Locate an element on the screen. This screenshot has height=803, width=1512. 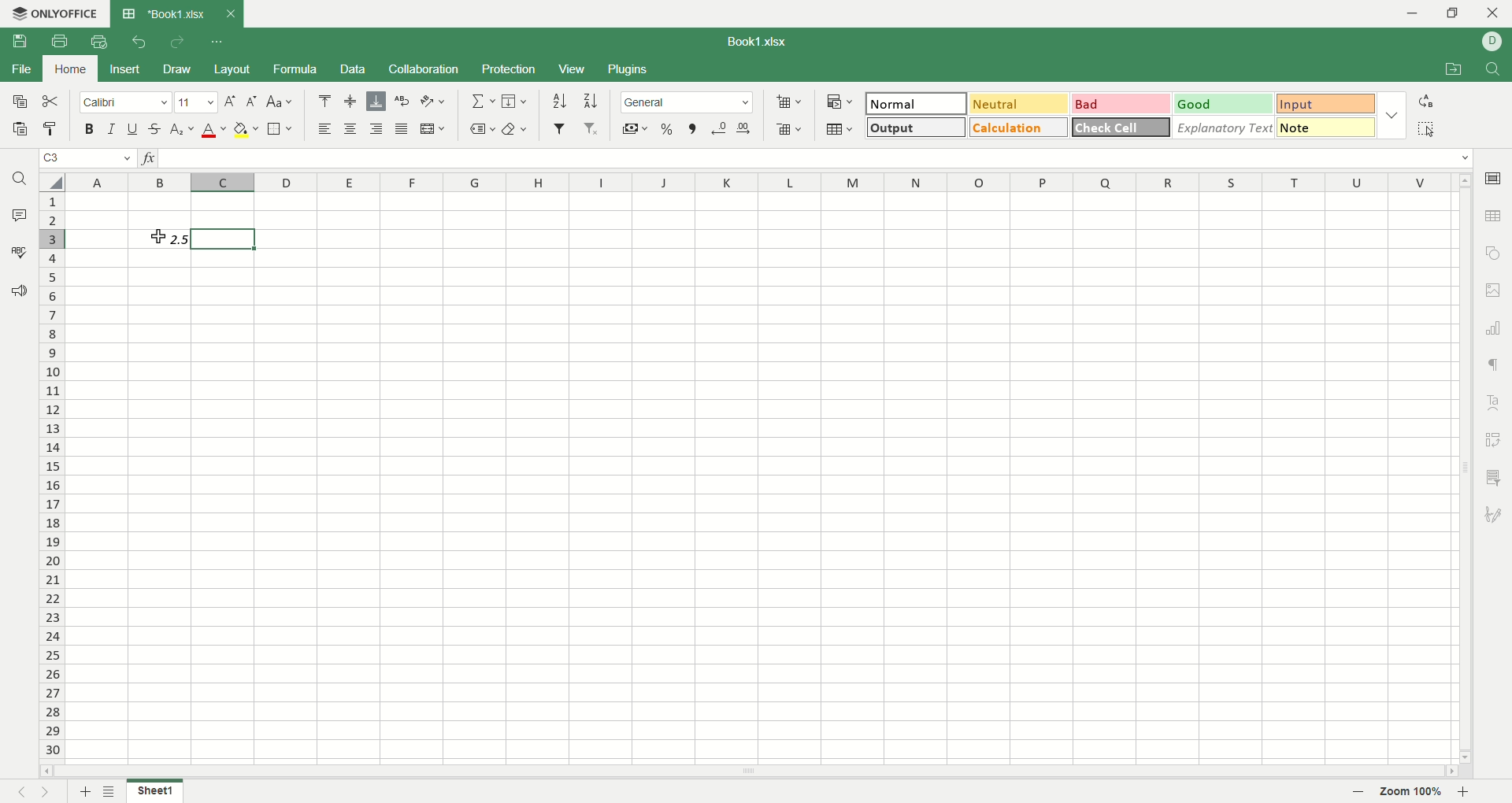
input line is located at coordinates (816, 159).